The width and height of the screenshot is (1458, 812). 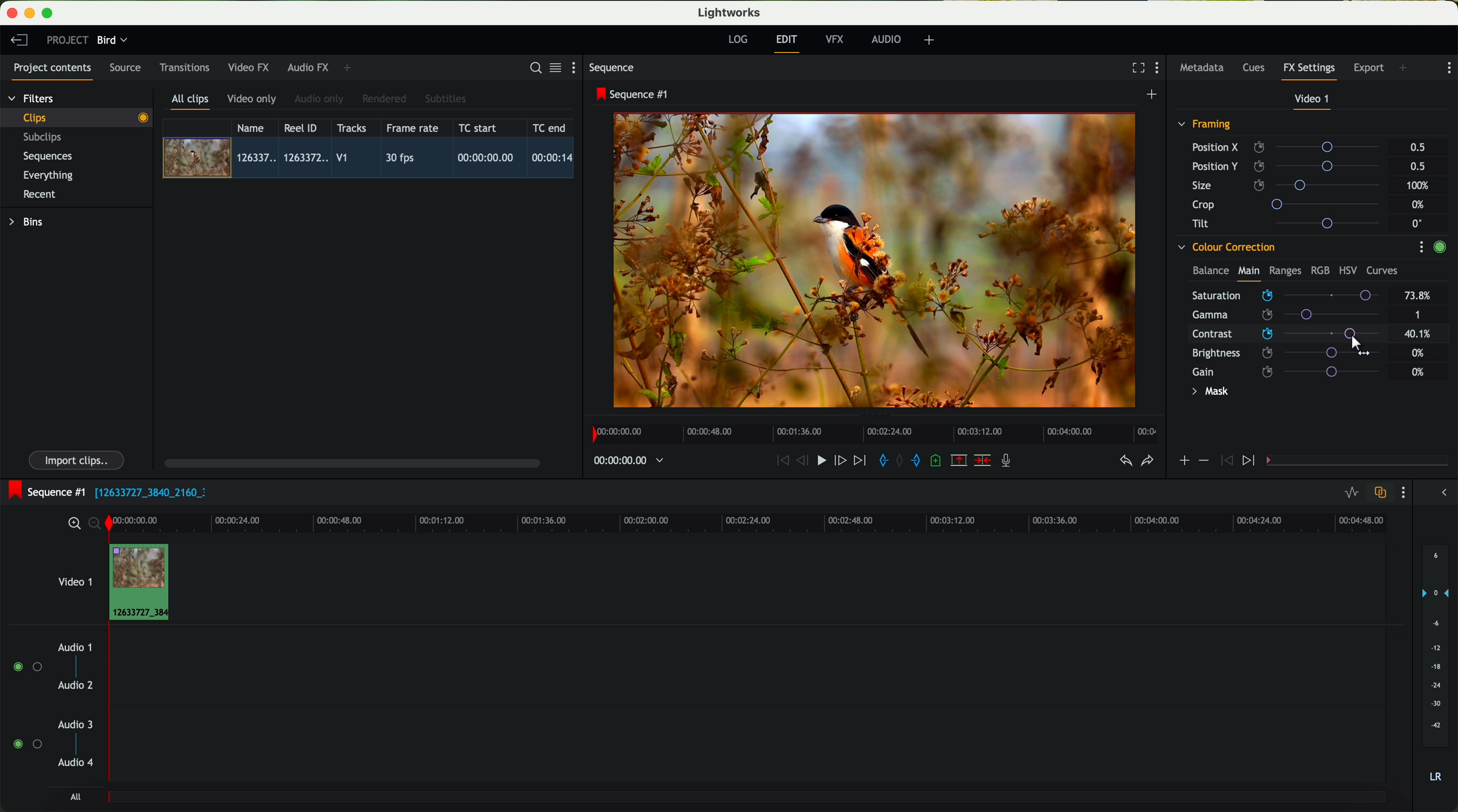 What do you see at coordinates (1203, 461) in the screenshot?
I see `icon` at bounding box center [1203, 461].